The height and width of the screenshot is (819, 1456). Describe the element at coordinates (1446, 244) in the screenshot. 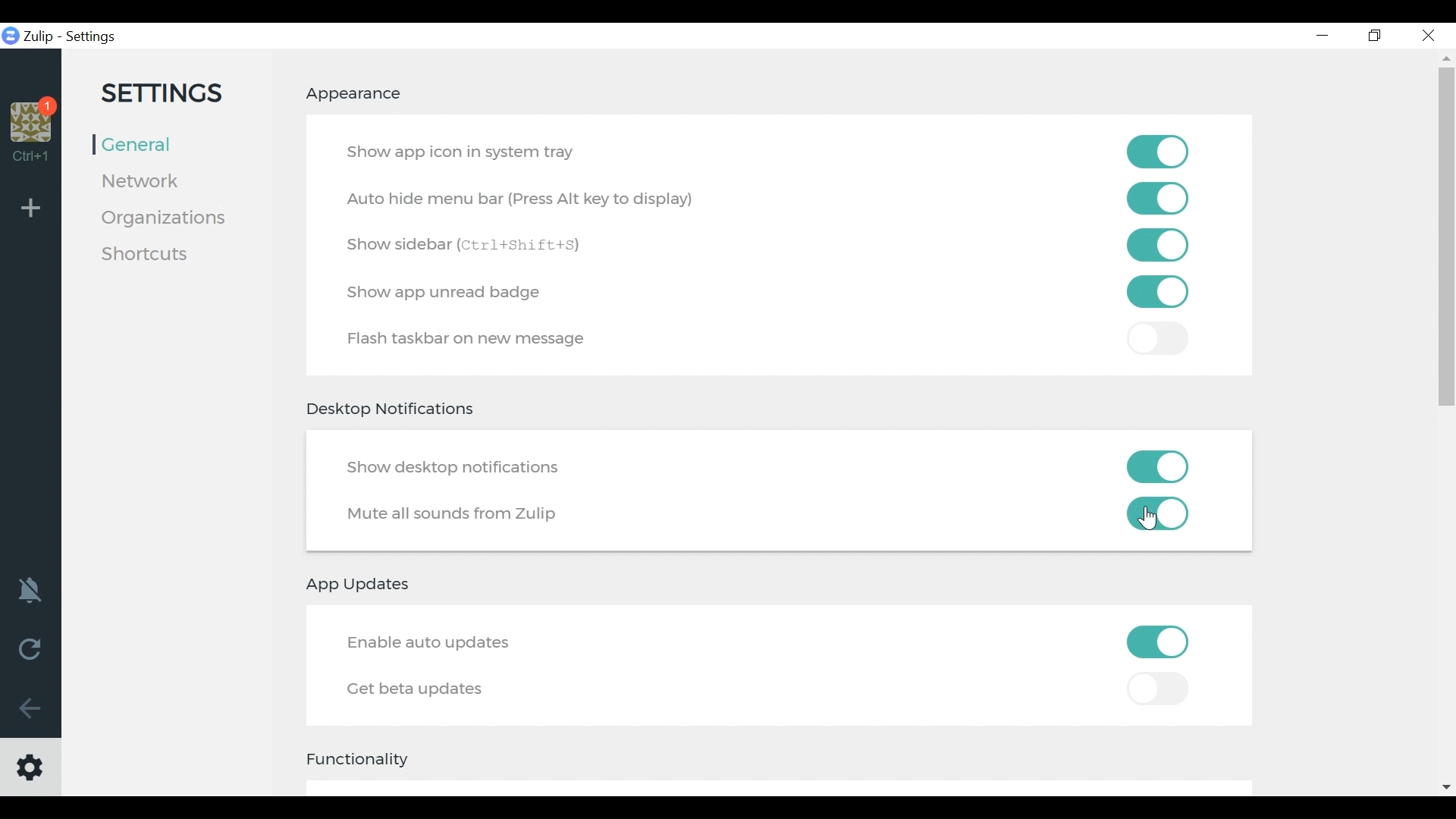

I see `vertical scroll bar` at that location.